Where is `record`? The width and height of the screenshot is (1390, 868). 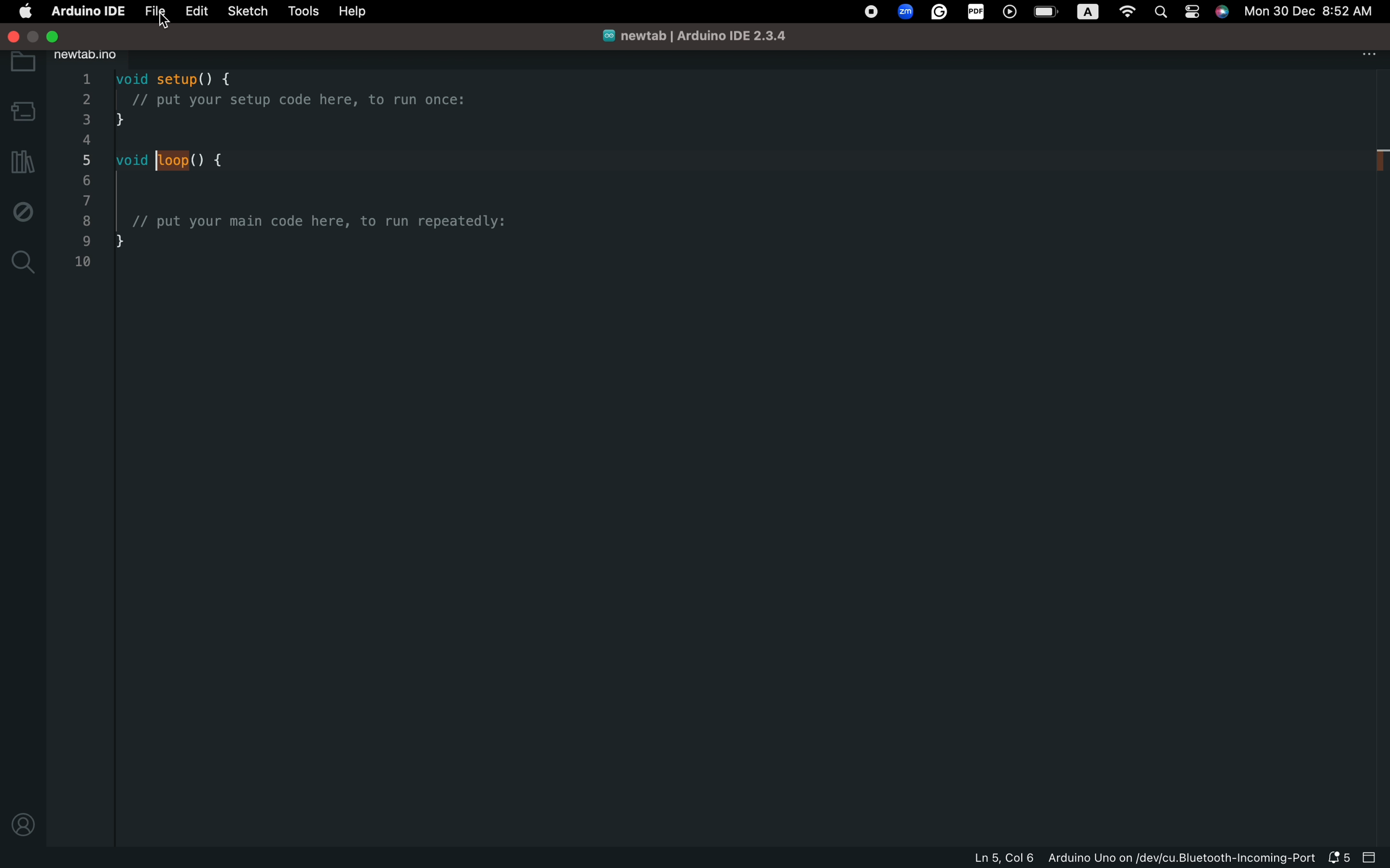 record is located at coordinates (872, 12).